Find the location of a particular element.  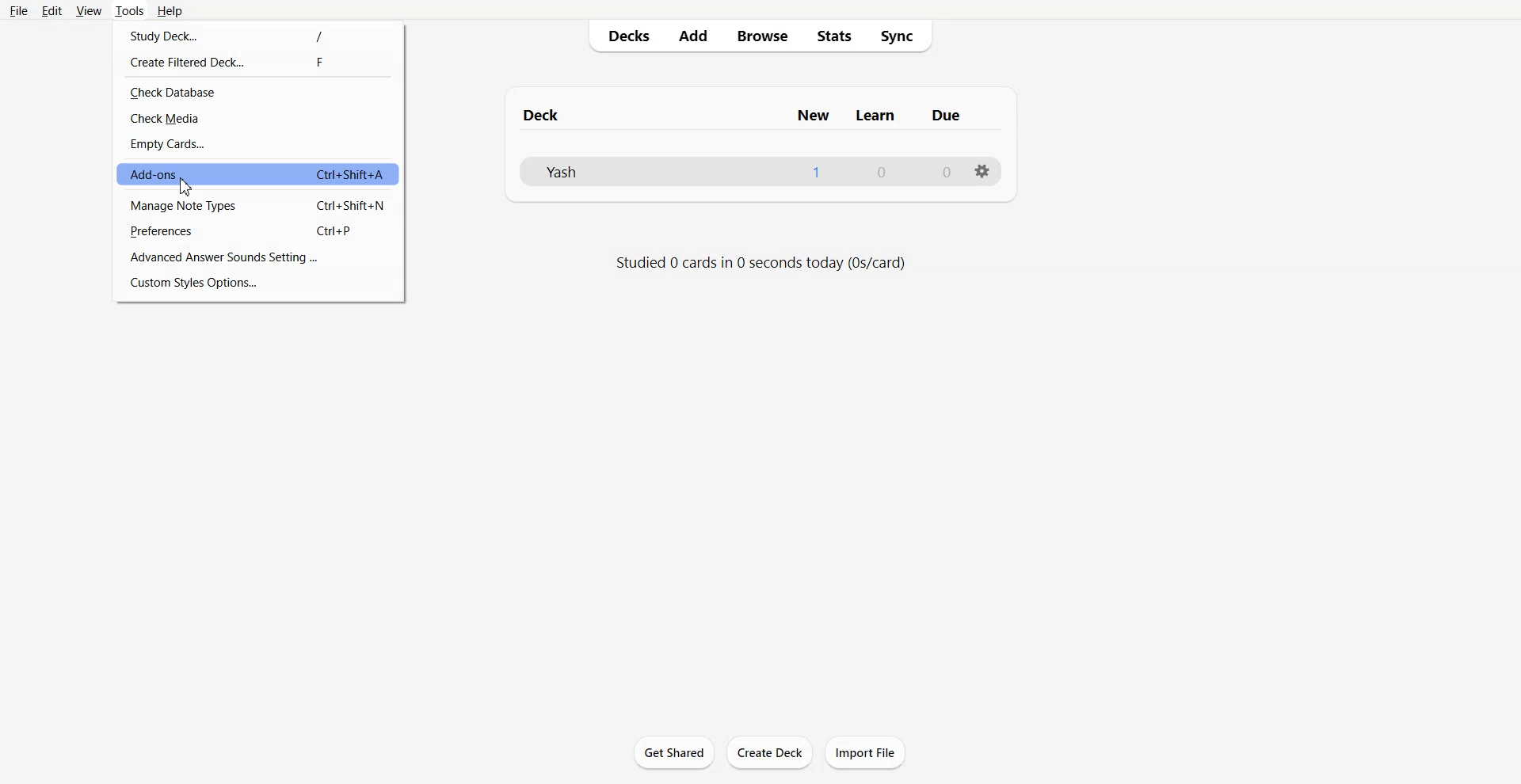

Decks is located at coordinates (623, 36).